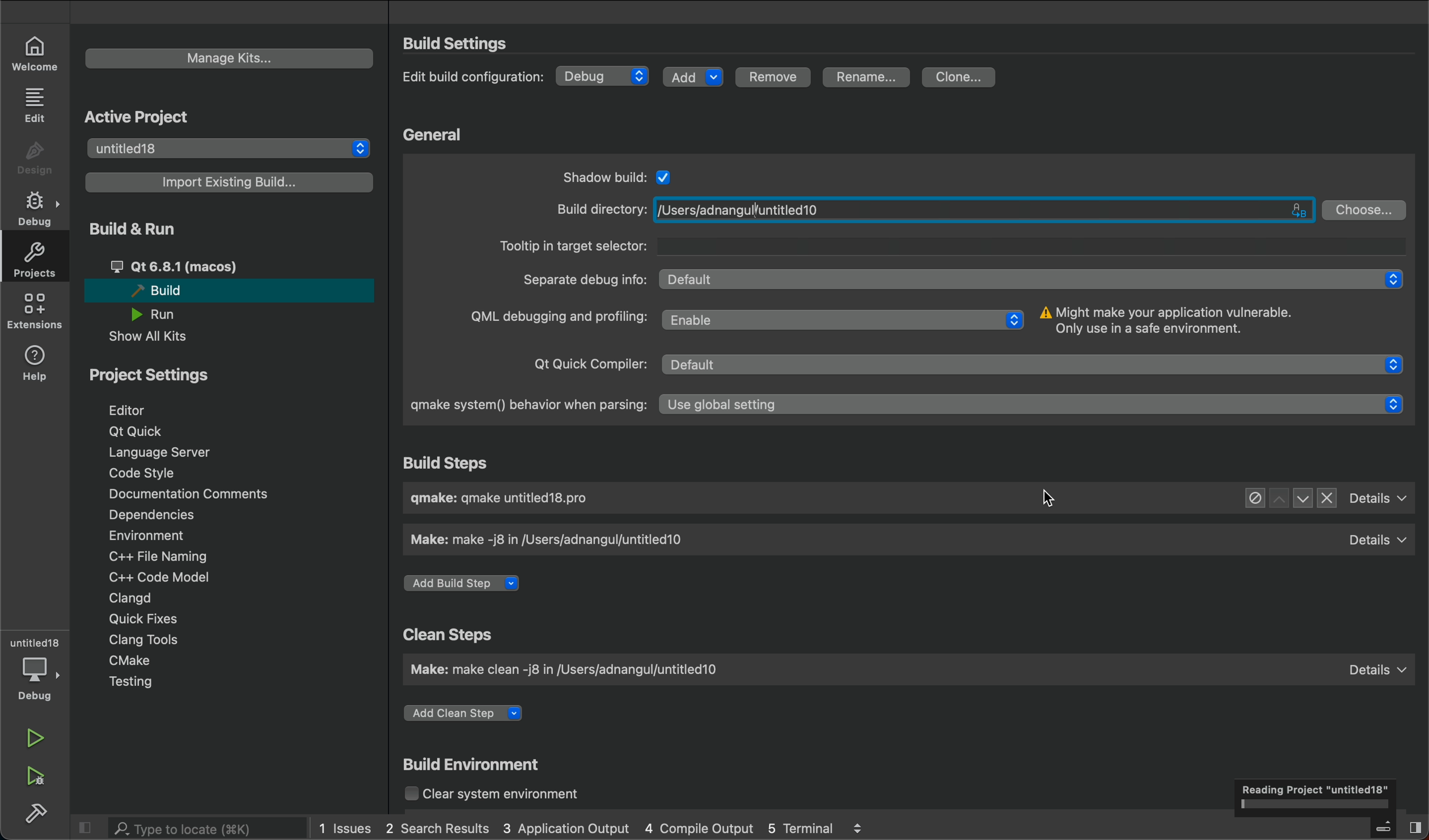  Describe the element at coordinates (699, 828) in the screenshot. I see `4 Compile Output` at that location.